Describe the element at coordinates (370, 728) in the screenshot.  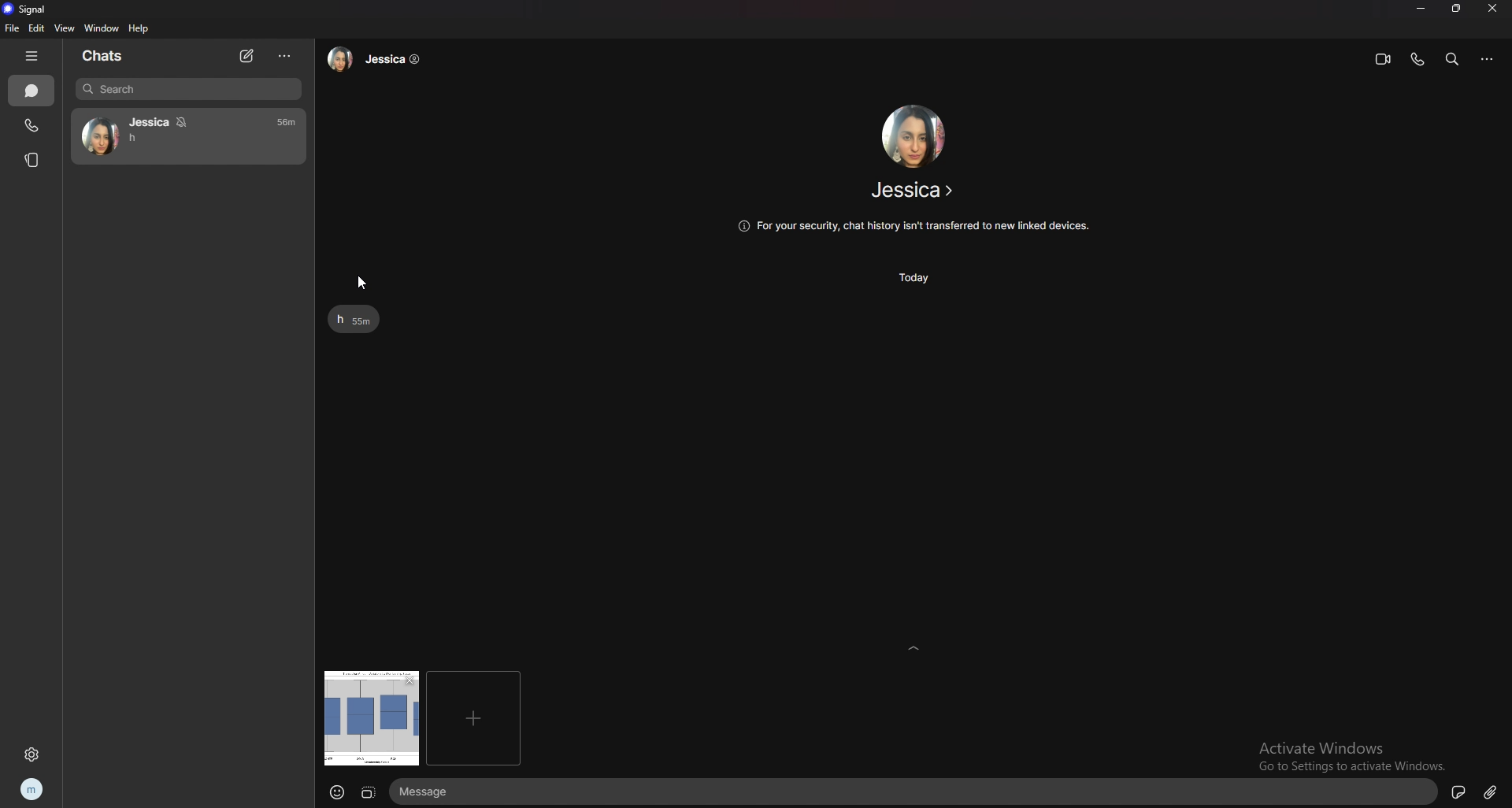
I see `photo` at that location.